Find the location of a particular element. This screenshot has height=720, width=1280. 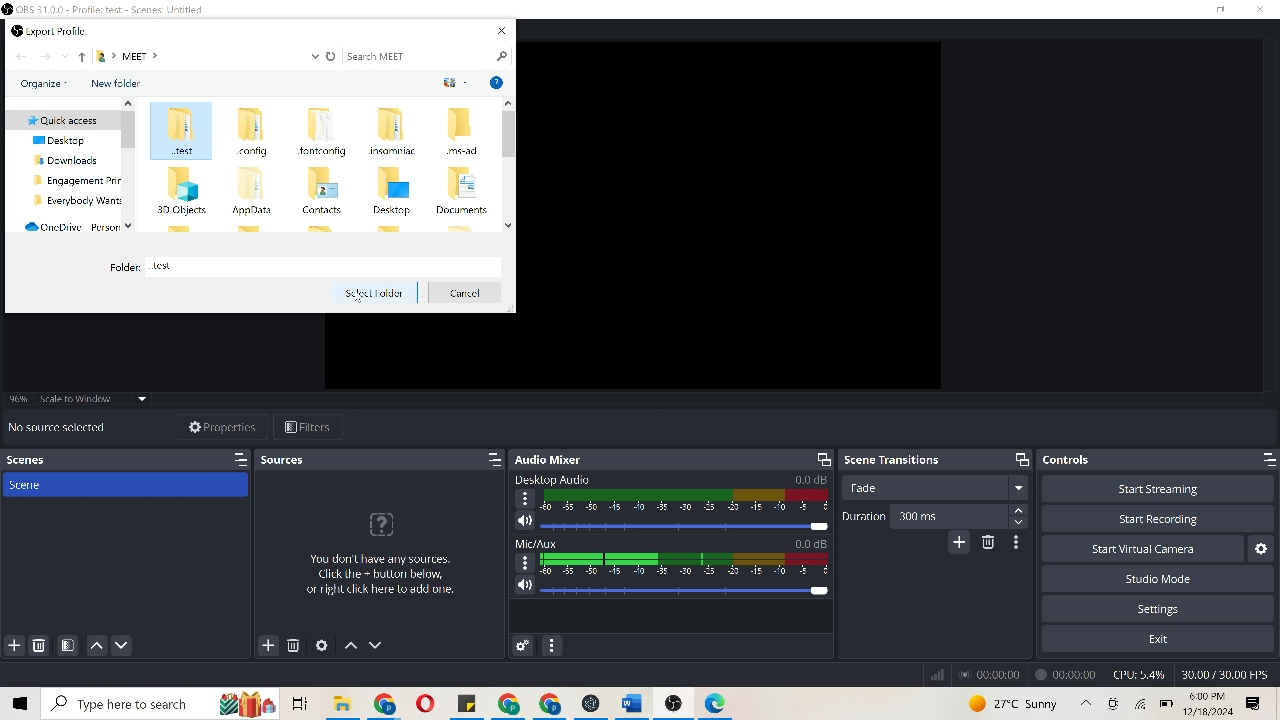

You dont have any sources. Click the+button below, or right click here to add one is located at coordinates (377, 589).